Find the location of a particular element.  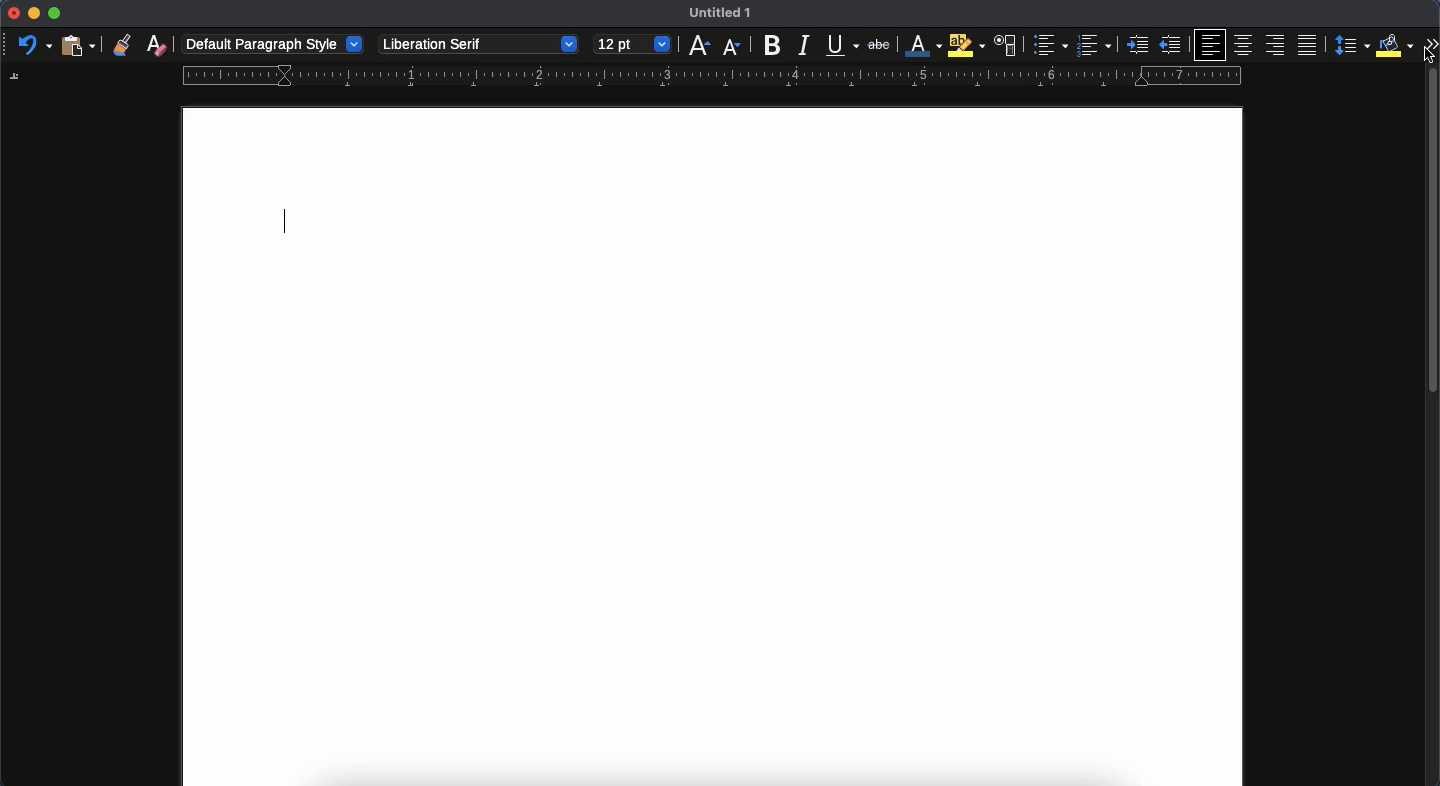

italics is located at coordinates (804, 46).